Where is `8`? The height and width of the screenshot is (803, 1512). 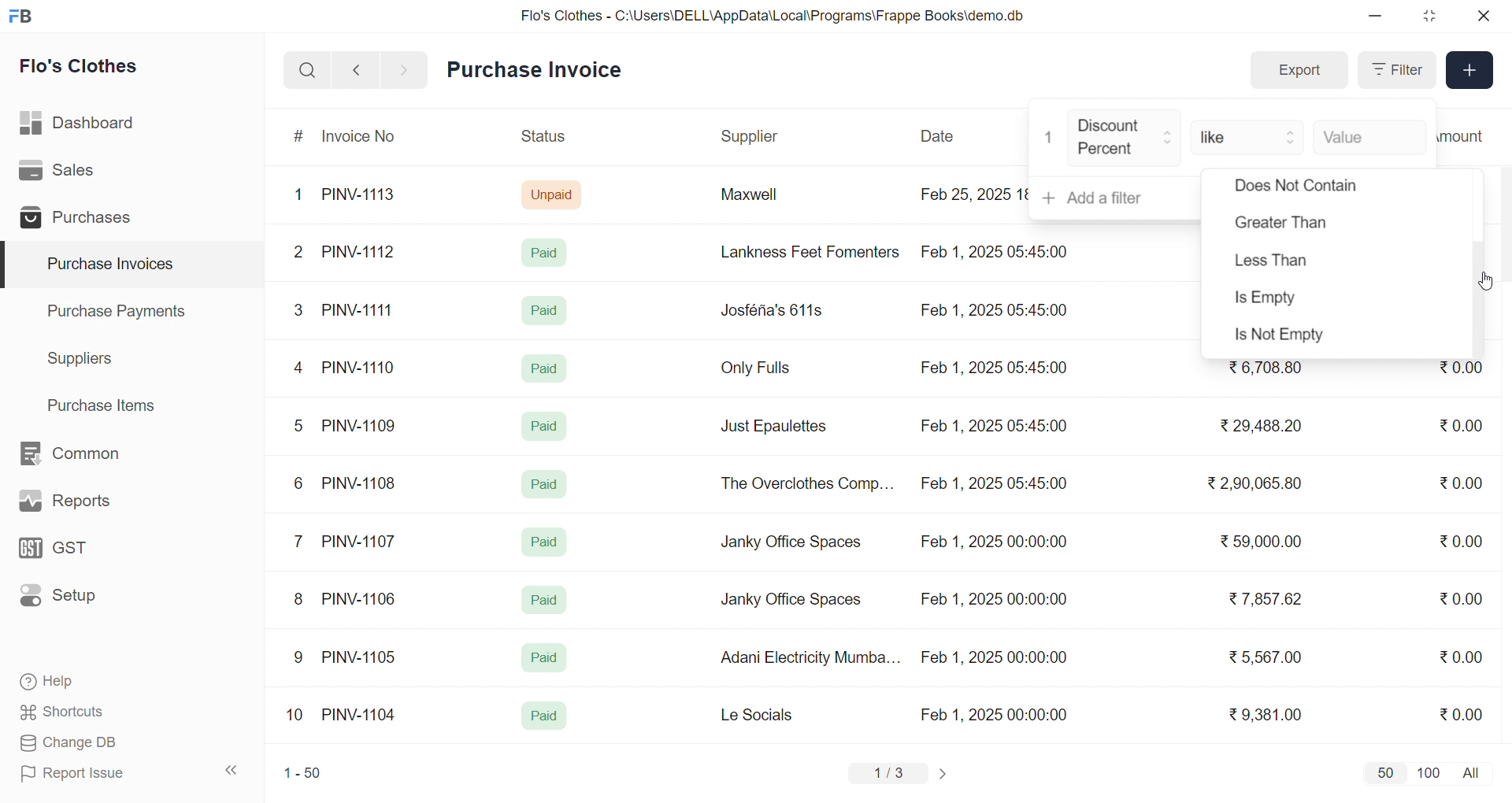 8 is located at coordinates (299, 601).